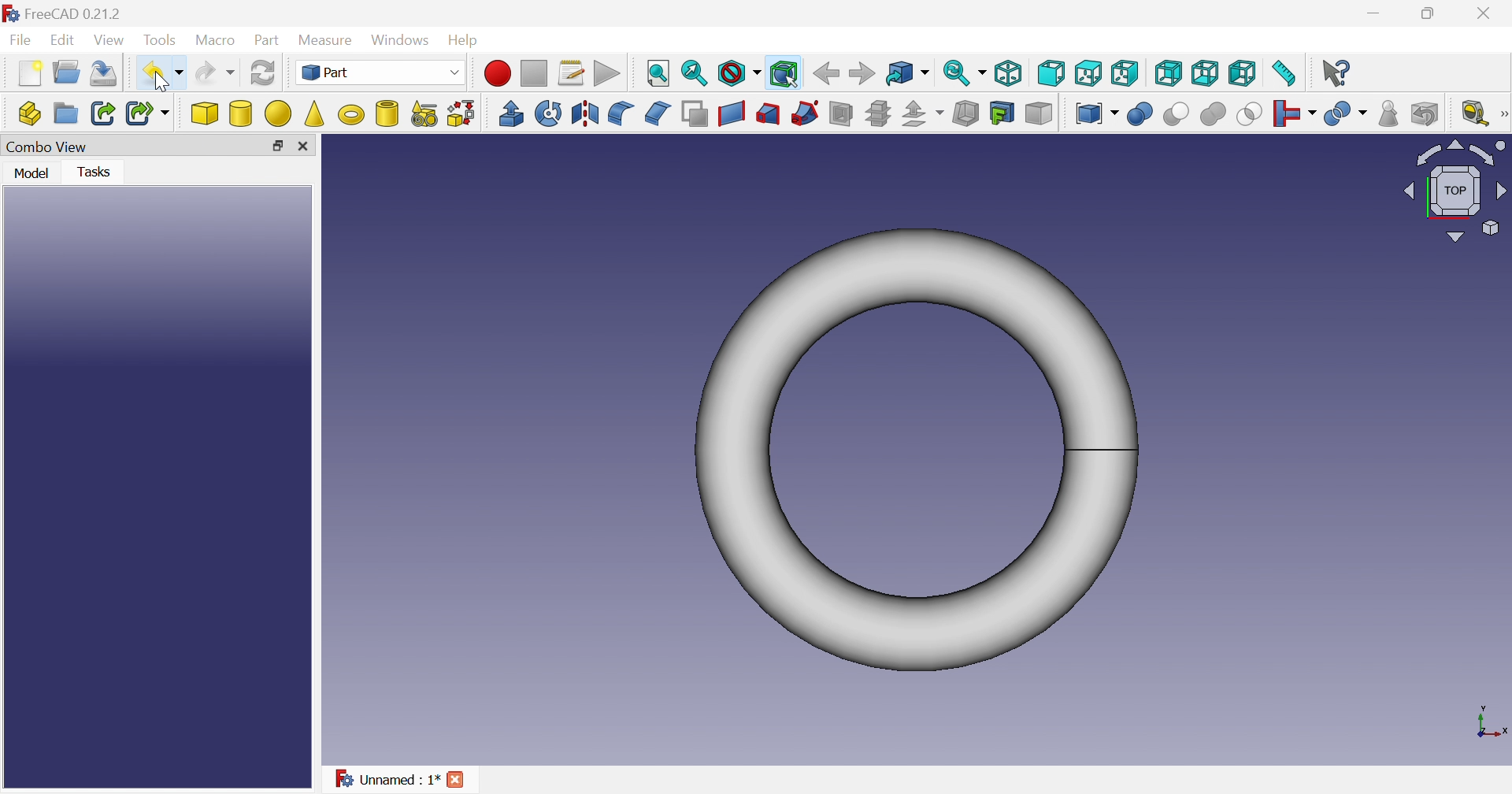  What do you see at coordinates (1006, 73) in the screenshot?
I see `Isometric` at bounding box center [1006, 73].